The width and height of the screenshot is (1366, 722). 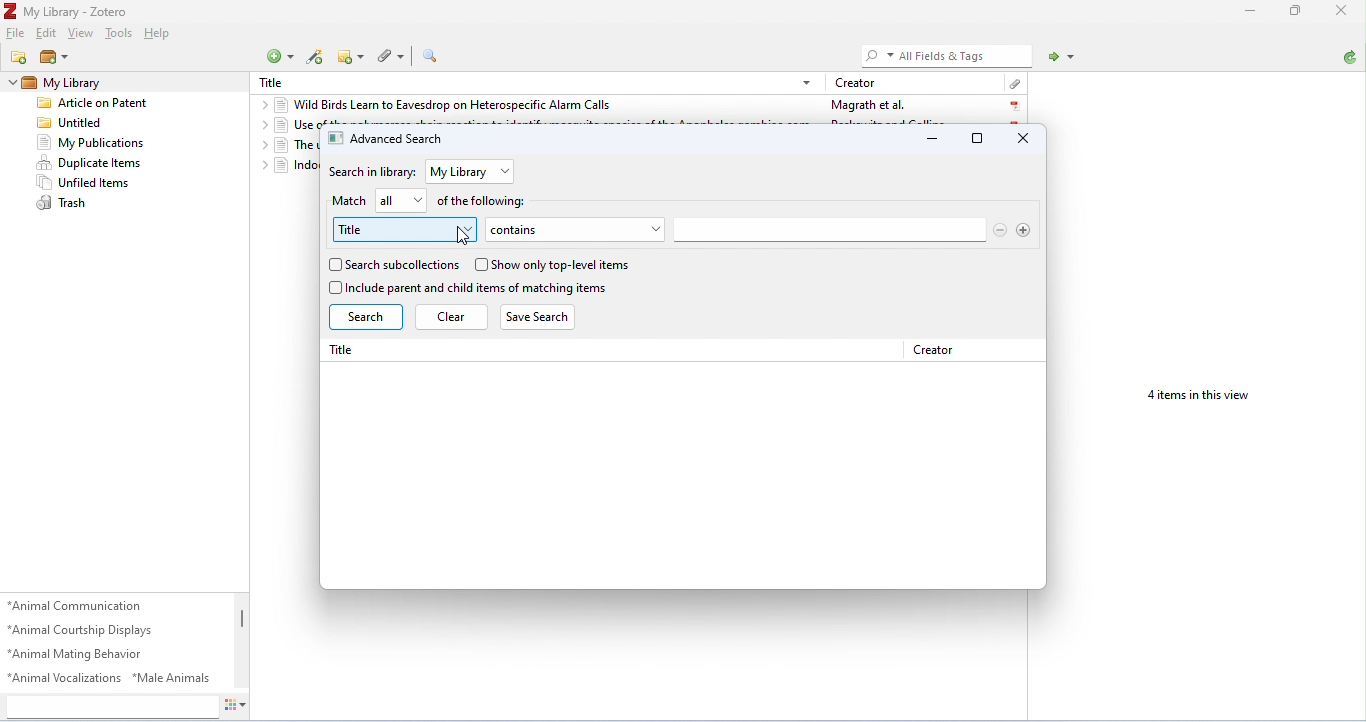 What do you see at coordinates (486, 202) in the screenshot?
I see `of the following:` at bounding box center [486, 202].